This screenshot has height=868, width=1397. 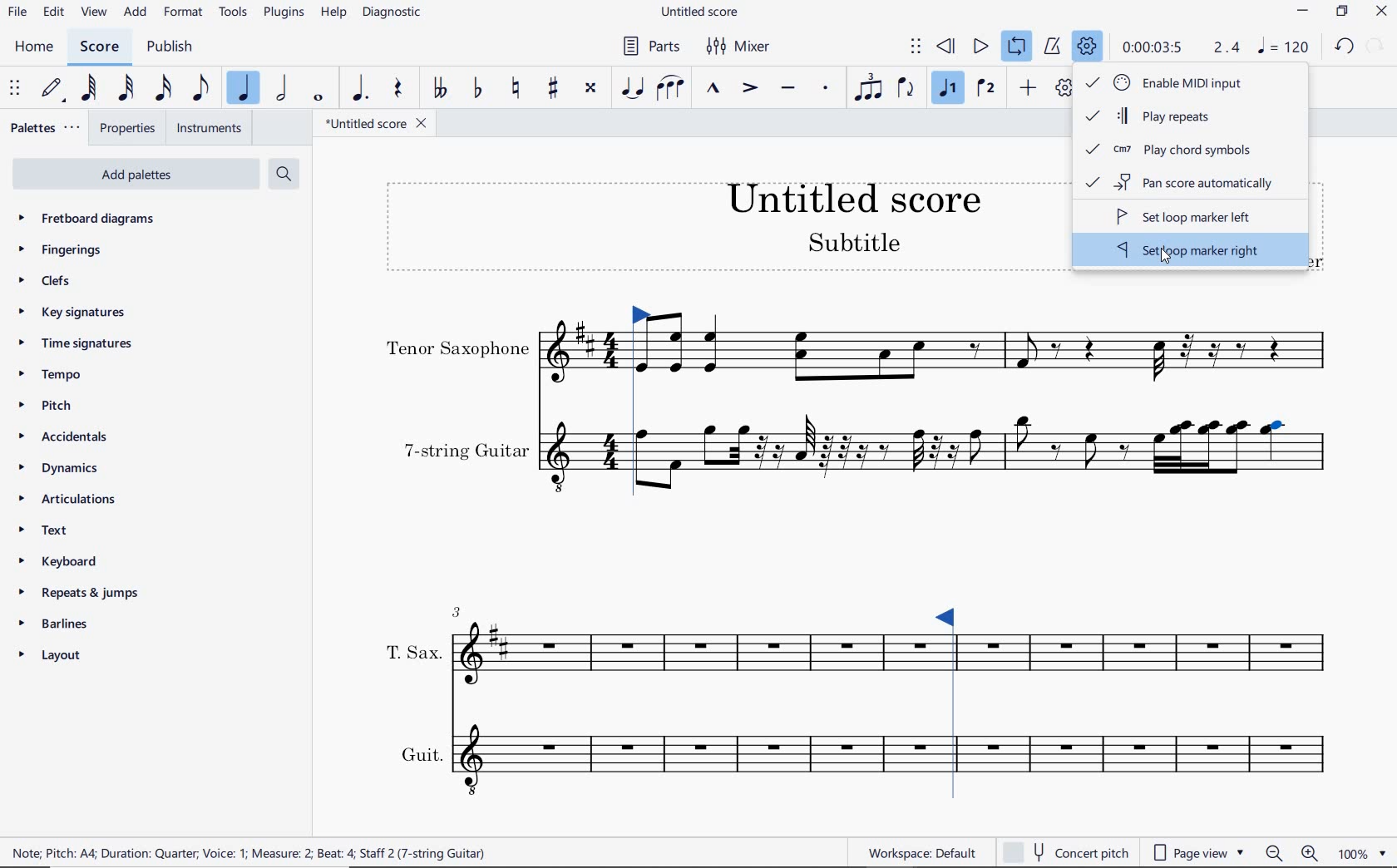 I want to click on TEMPO, so click(x=49, y=374).